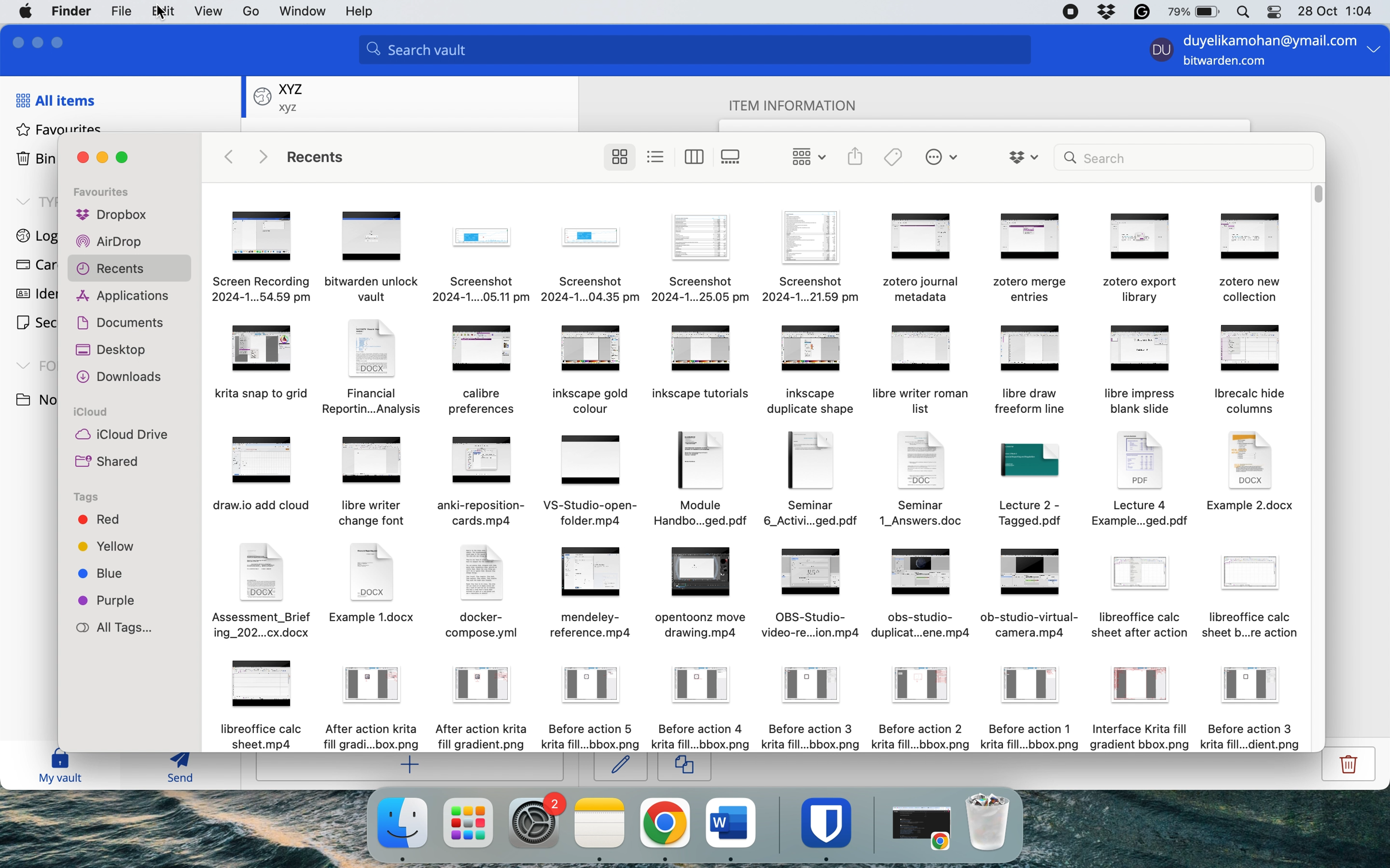  What do you see at coordinates (110, 600) in the screenshot?
I see `purple tag` at bounding box center [110, 600].